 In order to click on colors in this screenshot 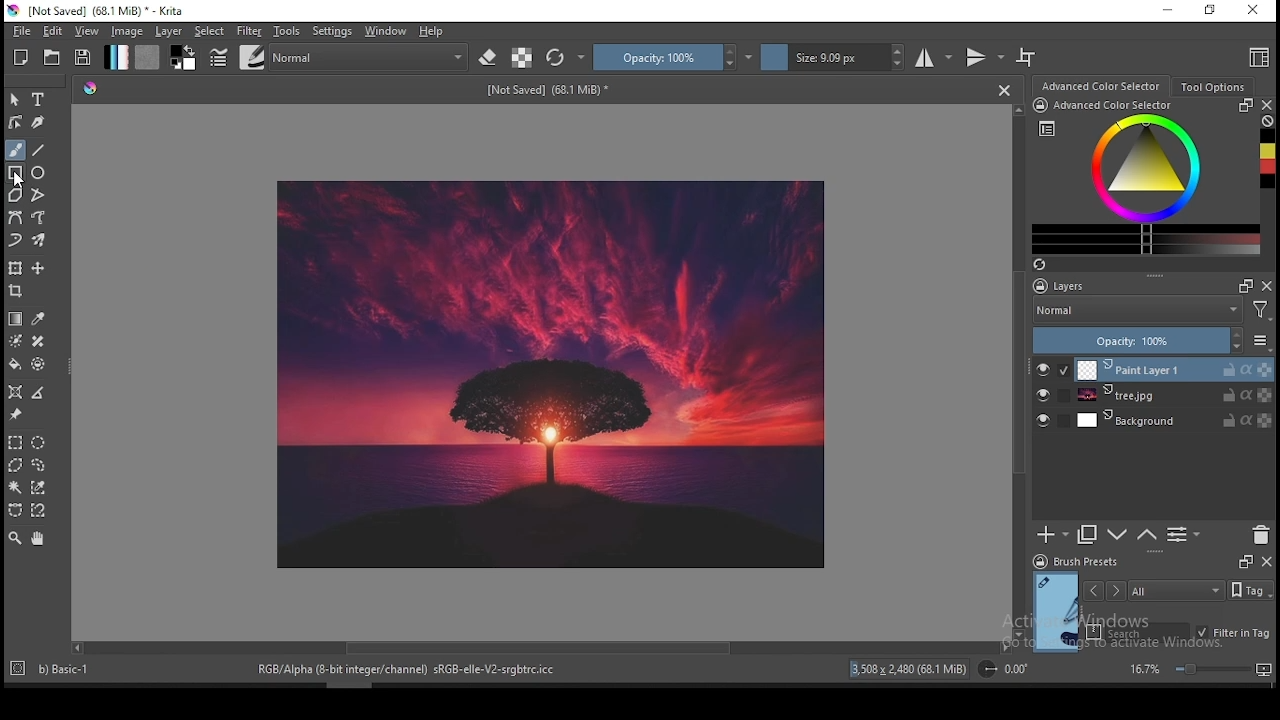, I will do `click(184, 58)`.